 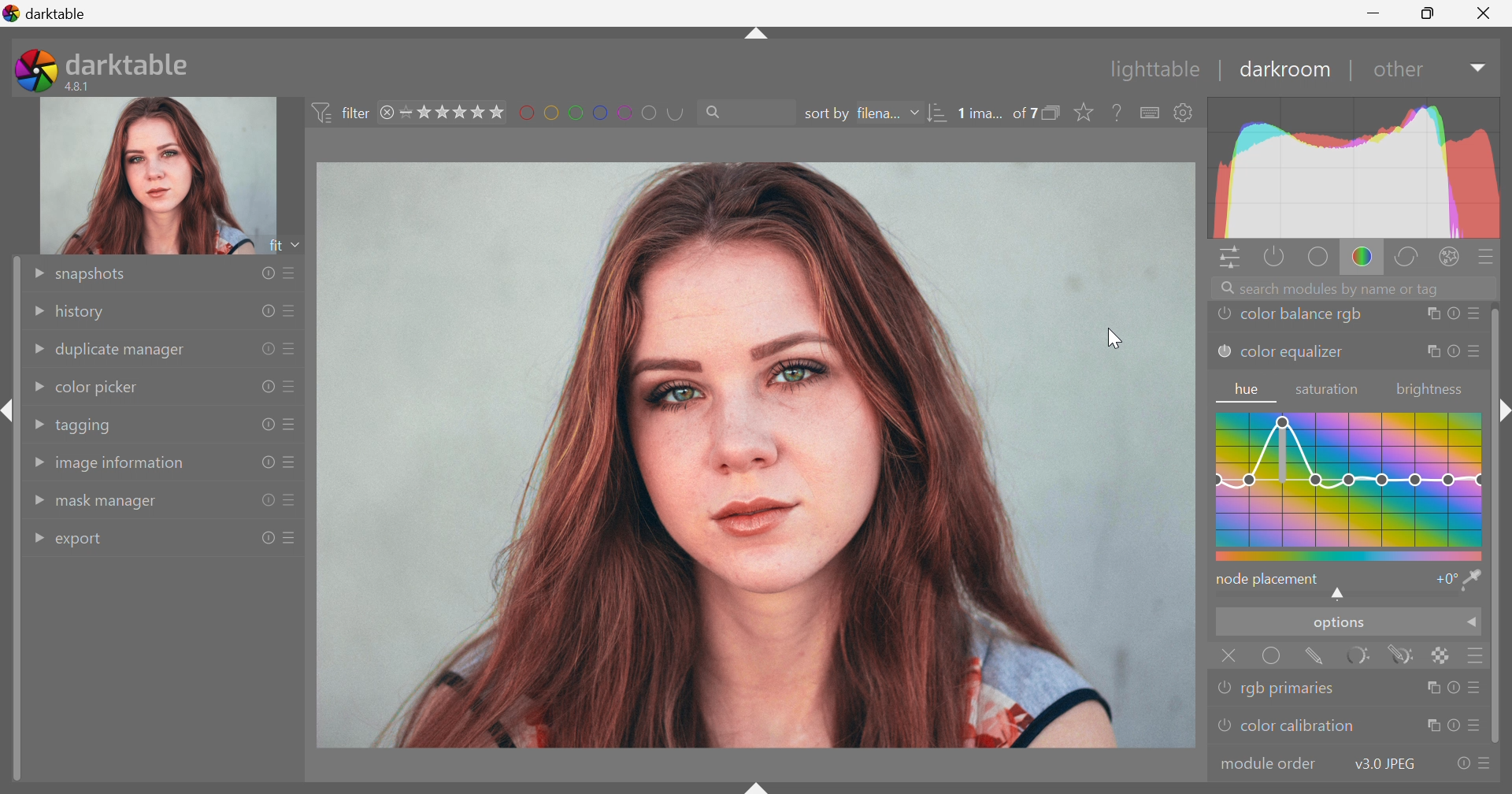 What do you see at coordinates (1226, 258) in the screenshot?
I see `quick access panel` at bounding box center [1226, 258].